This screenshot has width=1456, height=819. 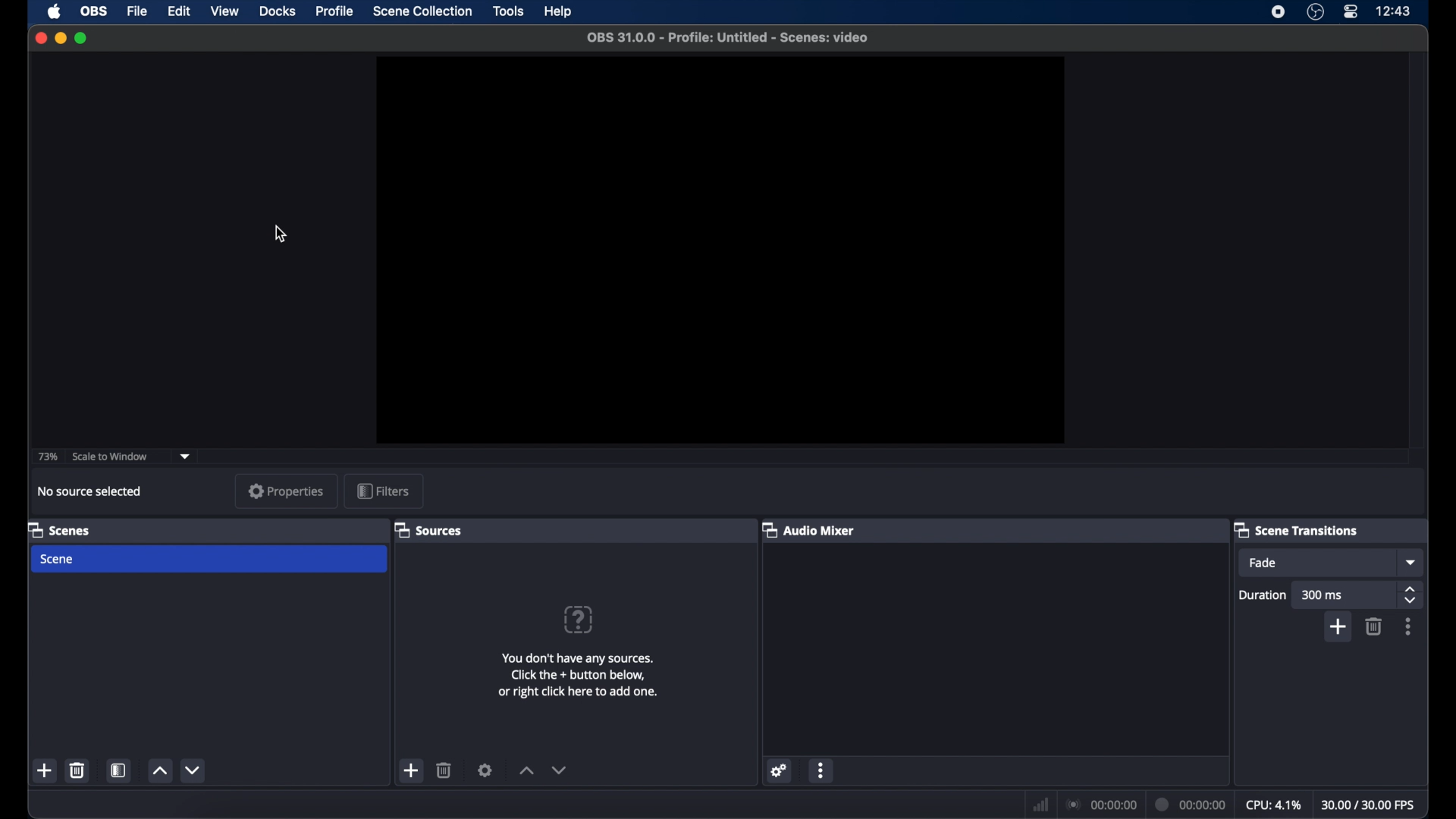 What do you see at coordinates (60, 529) in the screenshot?
I see `scenes` at bounding box center [60, 529].